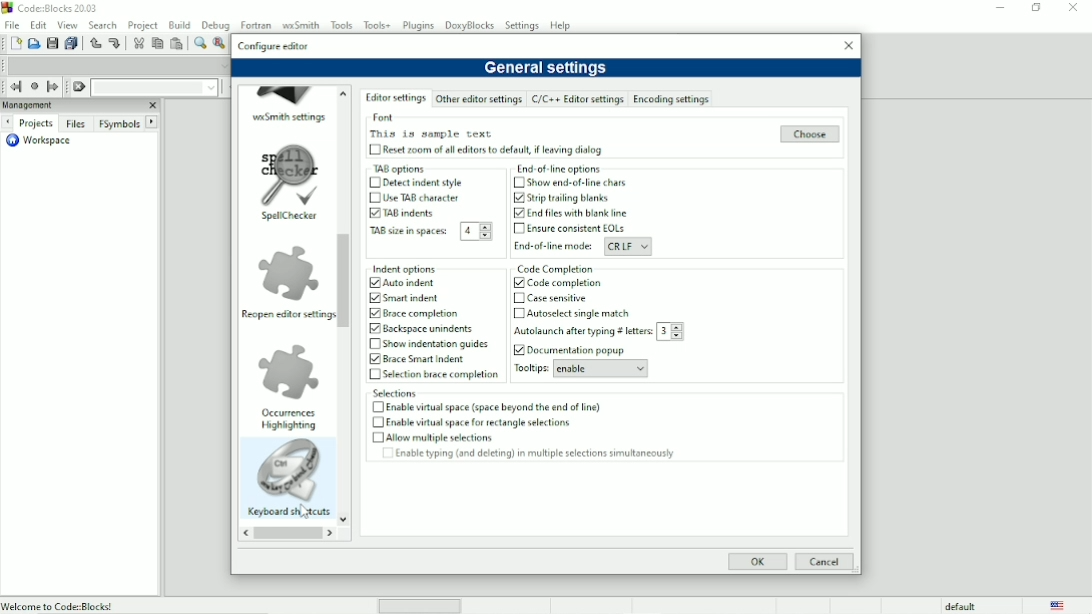  Describe the element at coordinates (333, 534) in the screenshot. I see `Forward` at that location.